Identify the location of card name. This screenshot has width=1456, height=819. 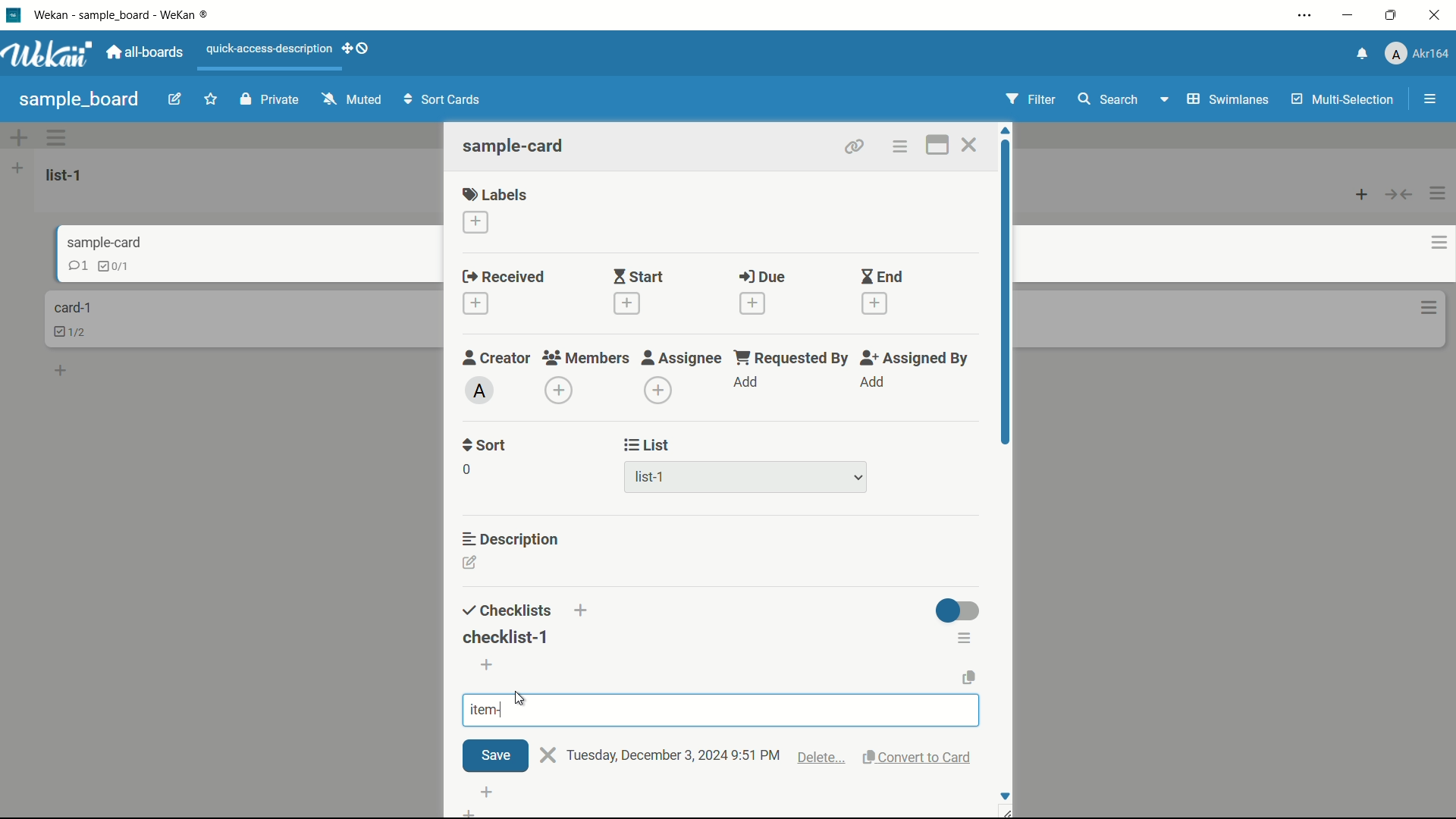
(72, 307).